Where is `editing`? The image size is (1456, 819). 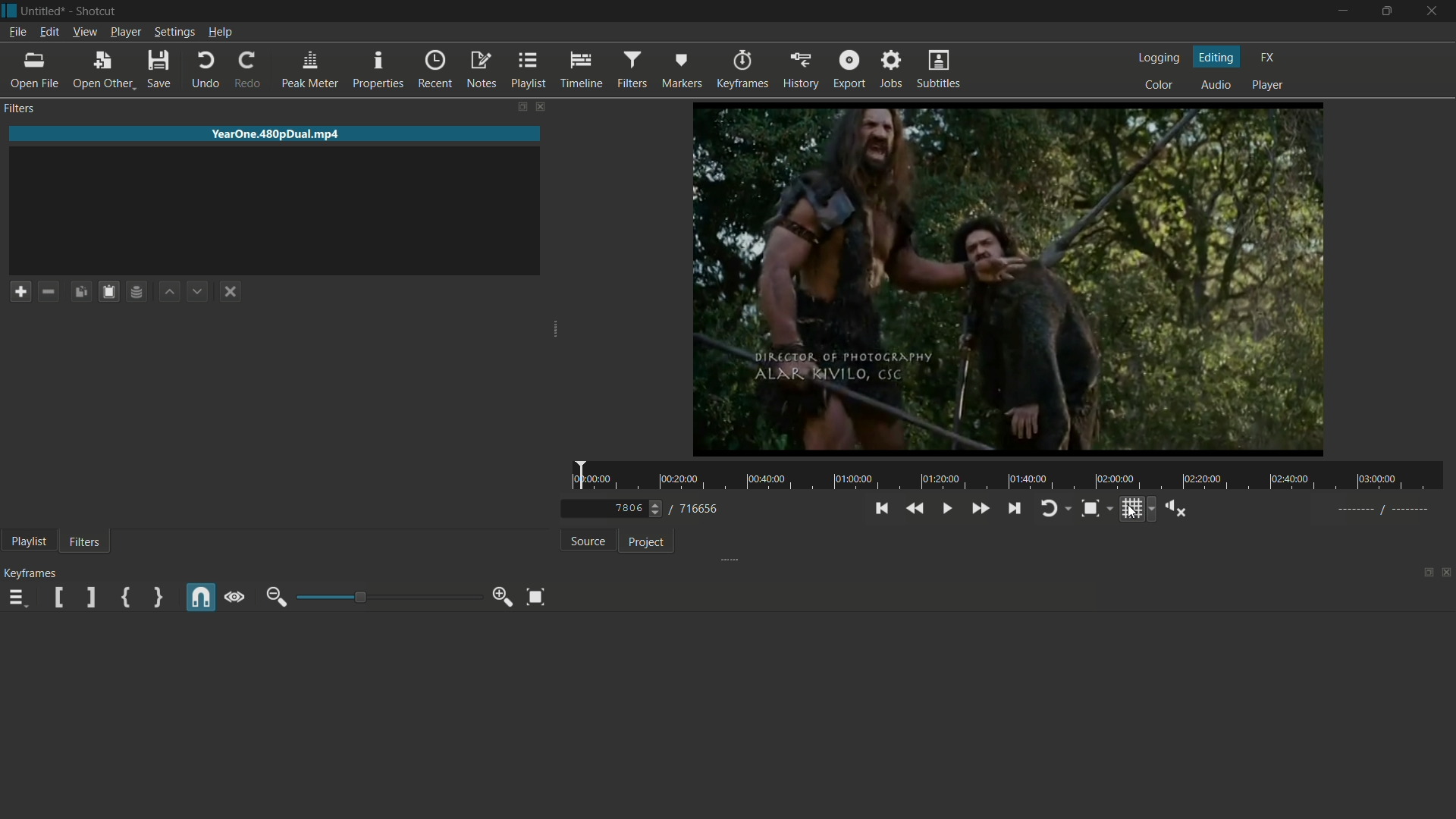
editing is located at coordinates (1220, 58).